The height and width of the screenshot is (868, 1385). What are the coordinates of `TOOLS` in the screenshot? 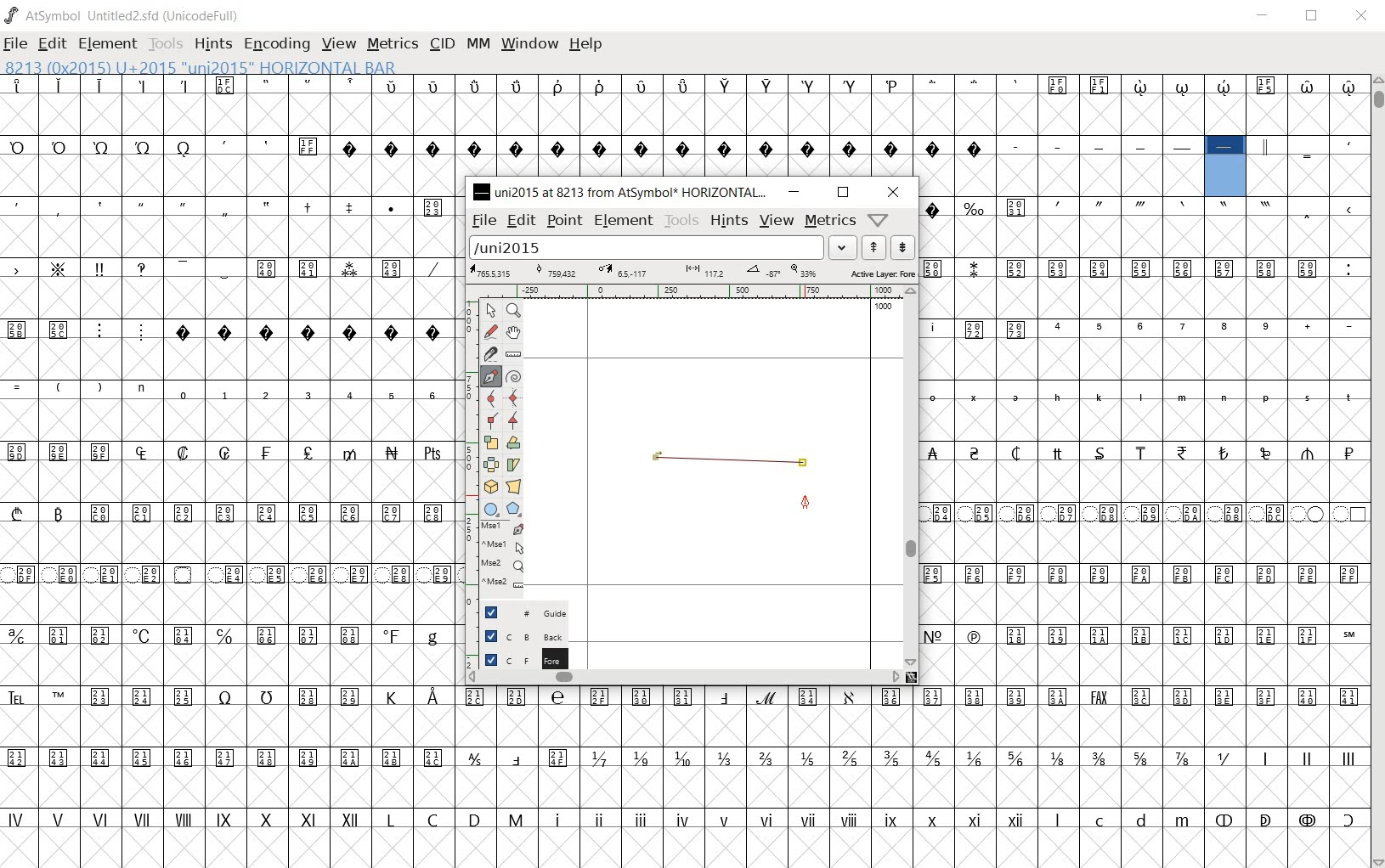 It's located at (168, 45).